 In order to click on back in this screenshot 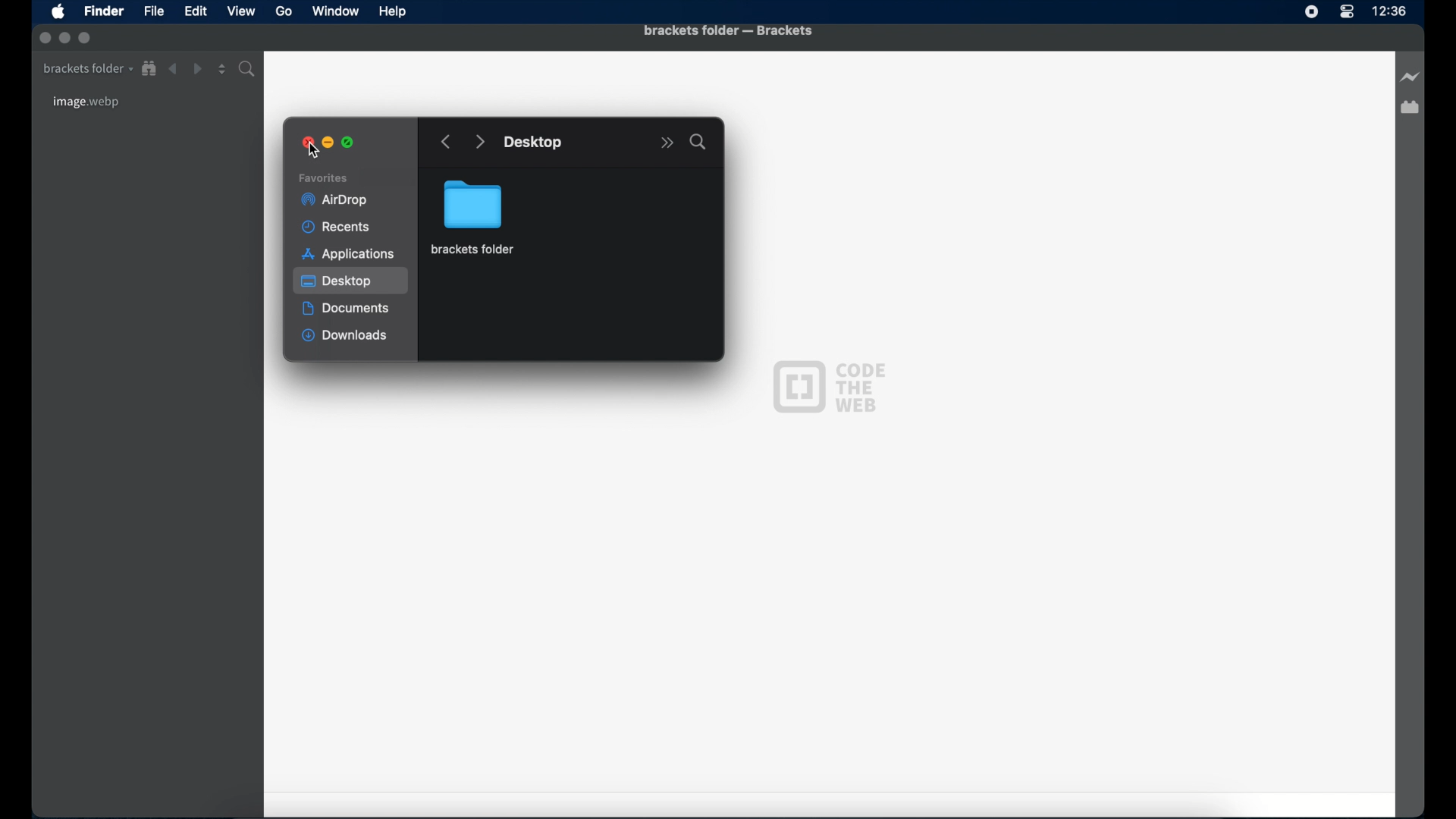, I will do `click(173, 69)`.